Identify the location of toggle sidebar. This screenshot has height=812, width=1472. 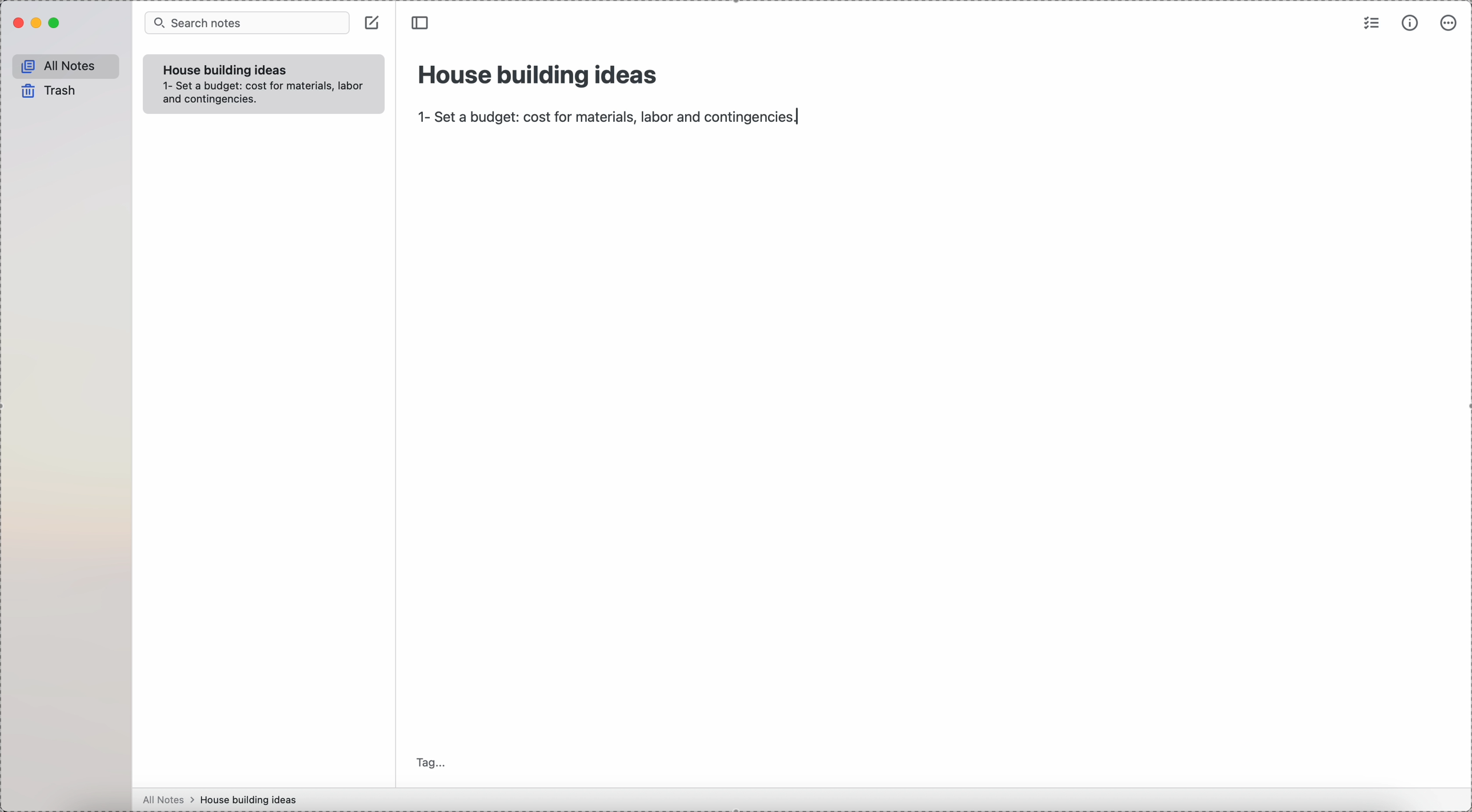
(422, 23).